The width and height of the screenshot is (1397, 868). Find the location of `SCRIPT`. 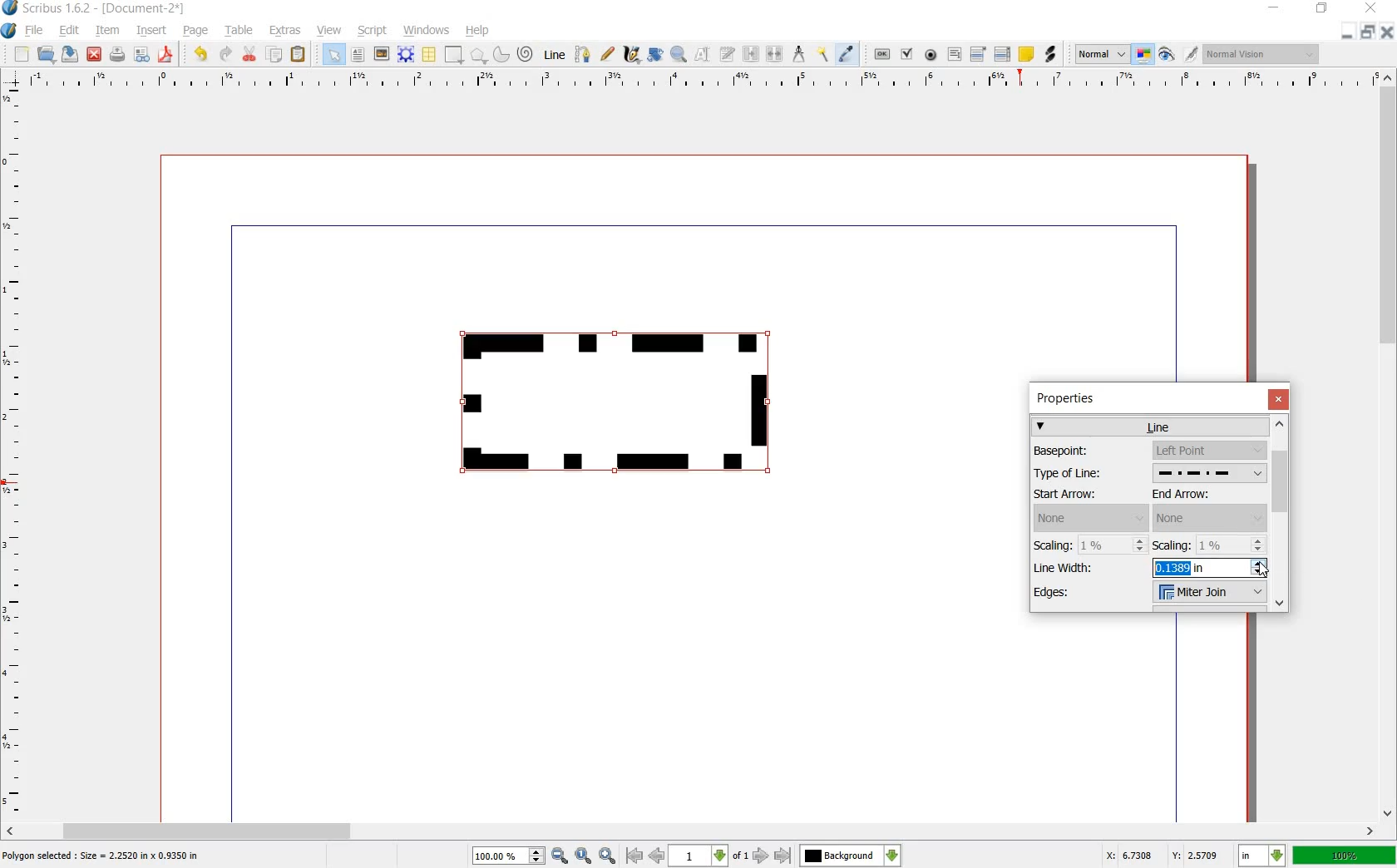

SCRIPT is located at coordinates (370, 31).